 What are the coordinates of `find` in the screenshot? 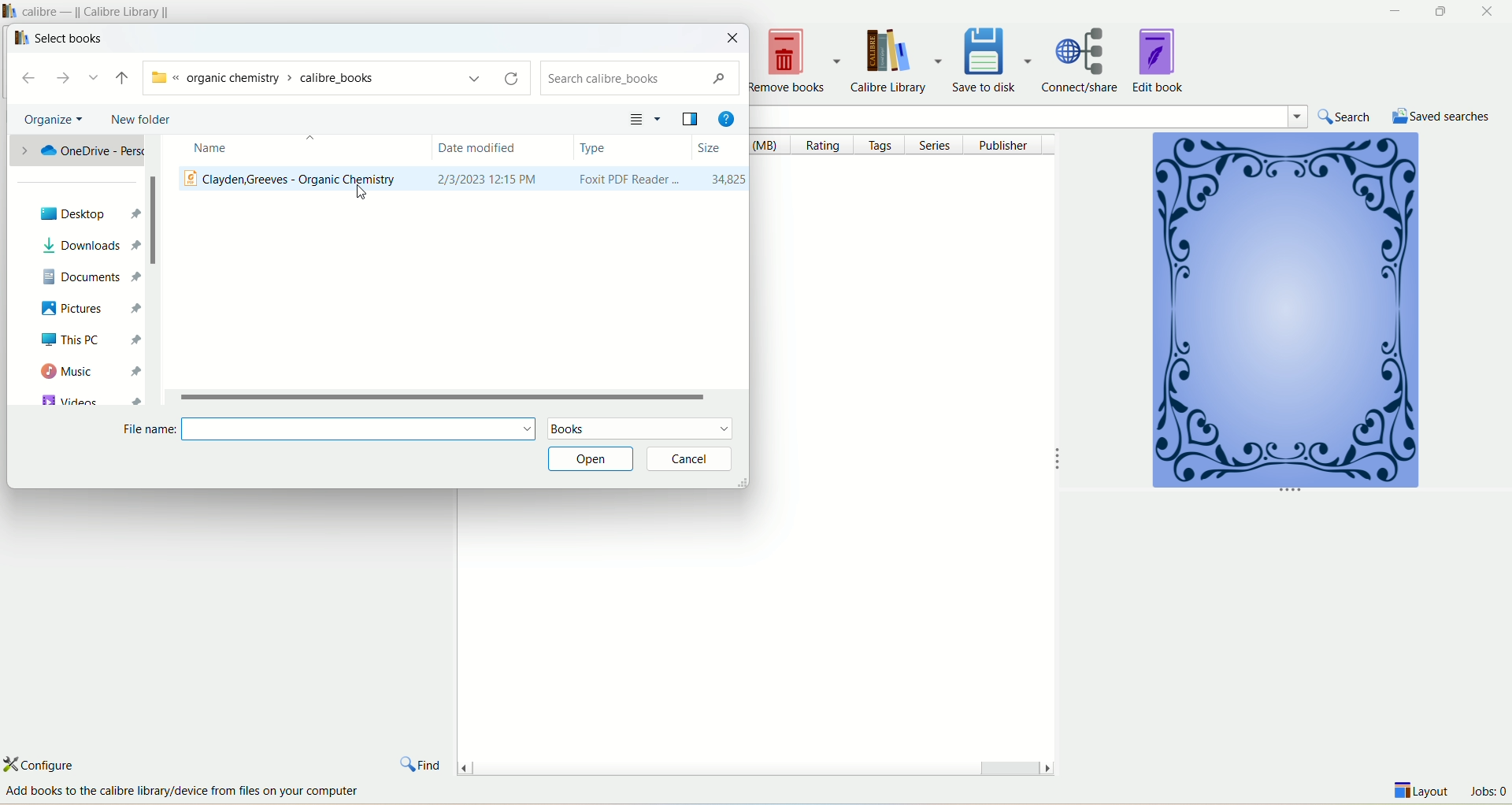 It's located at (421, 761).